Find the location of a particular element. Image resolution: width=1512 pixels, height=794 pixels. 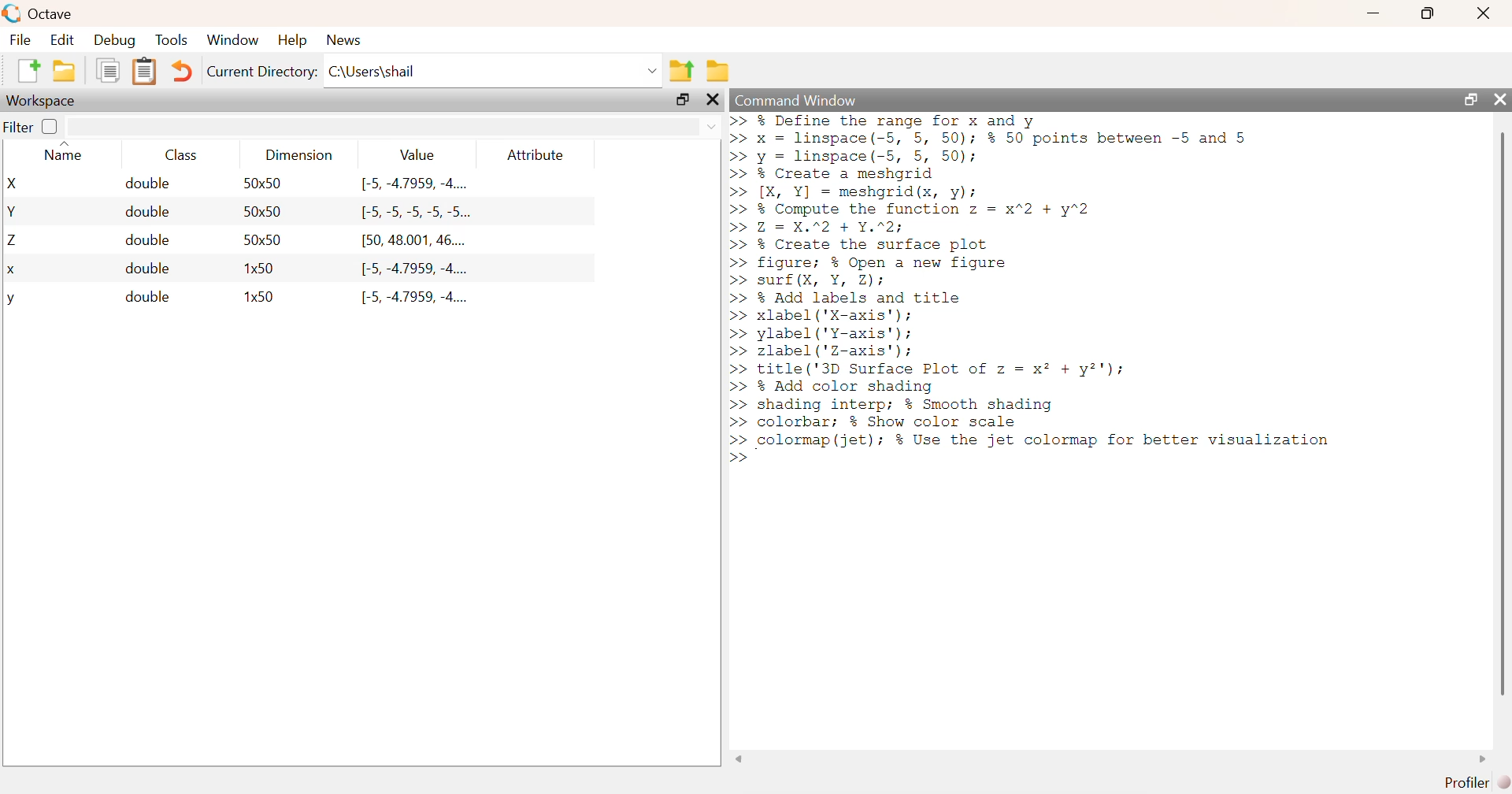

double is located at coordinates (147, 212).